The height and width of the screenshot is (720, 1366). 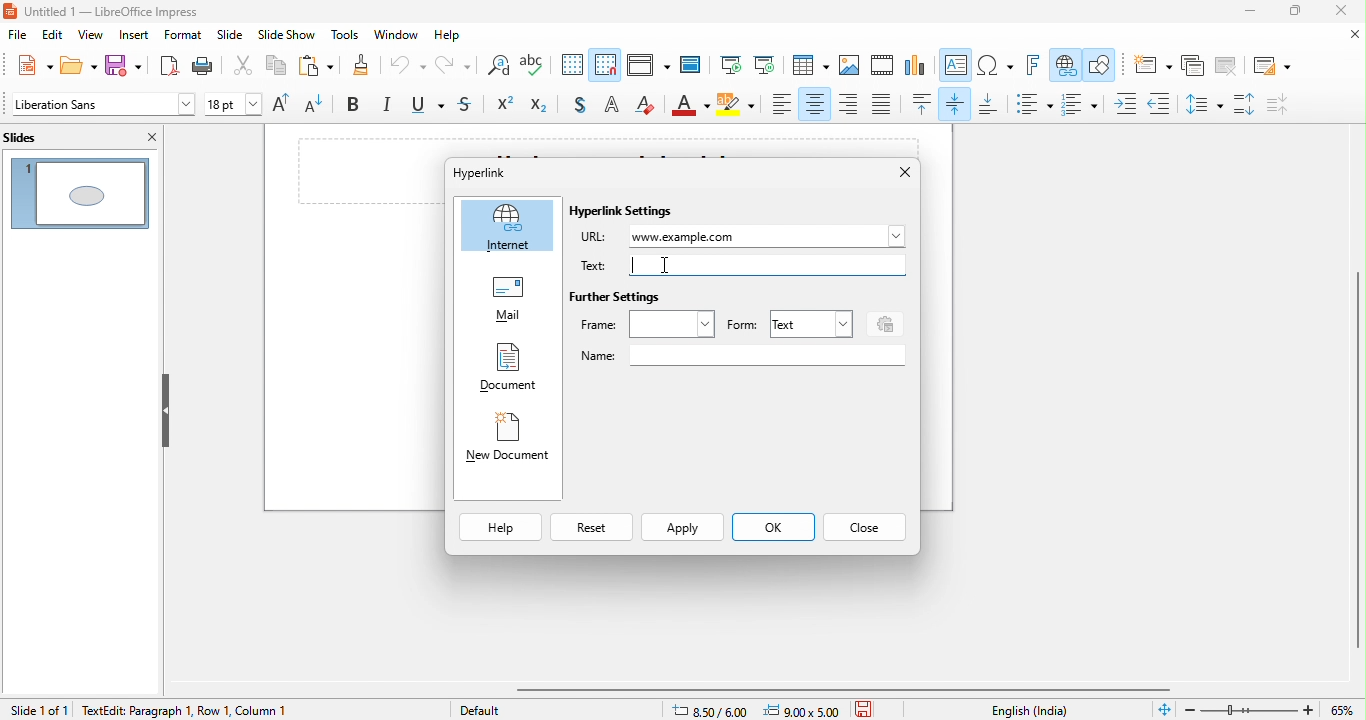 What do you see at coordinates (1349, 35) in the screenshot?
I see `close` at bounding box center [1349, 35].